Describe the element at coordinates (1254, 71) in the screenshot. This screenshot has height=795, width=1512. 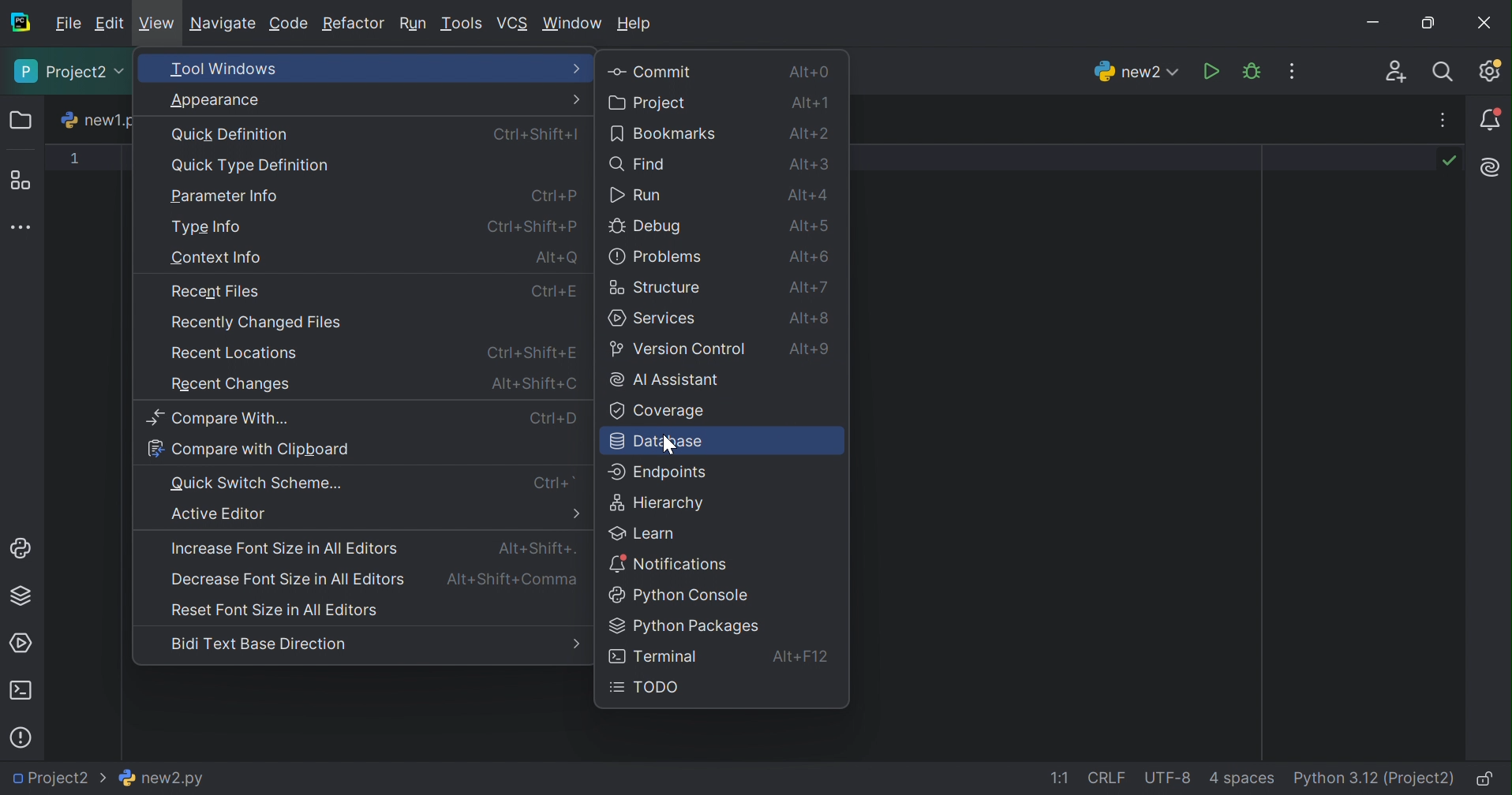
I see `Debug` at that location.